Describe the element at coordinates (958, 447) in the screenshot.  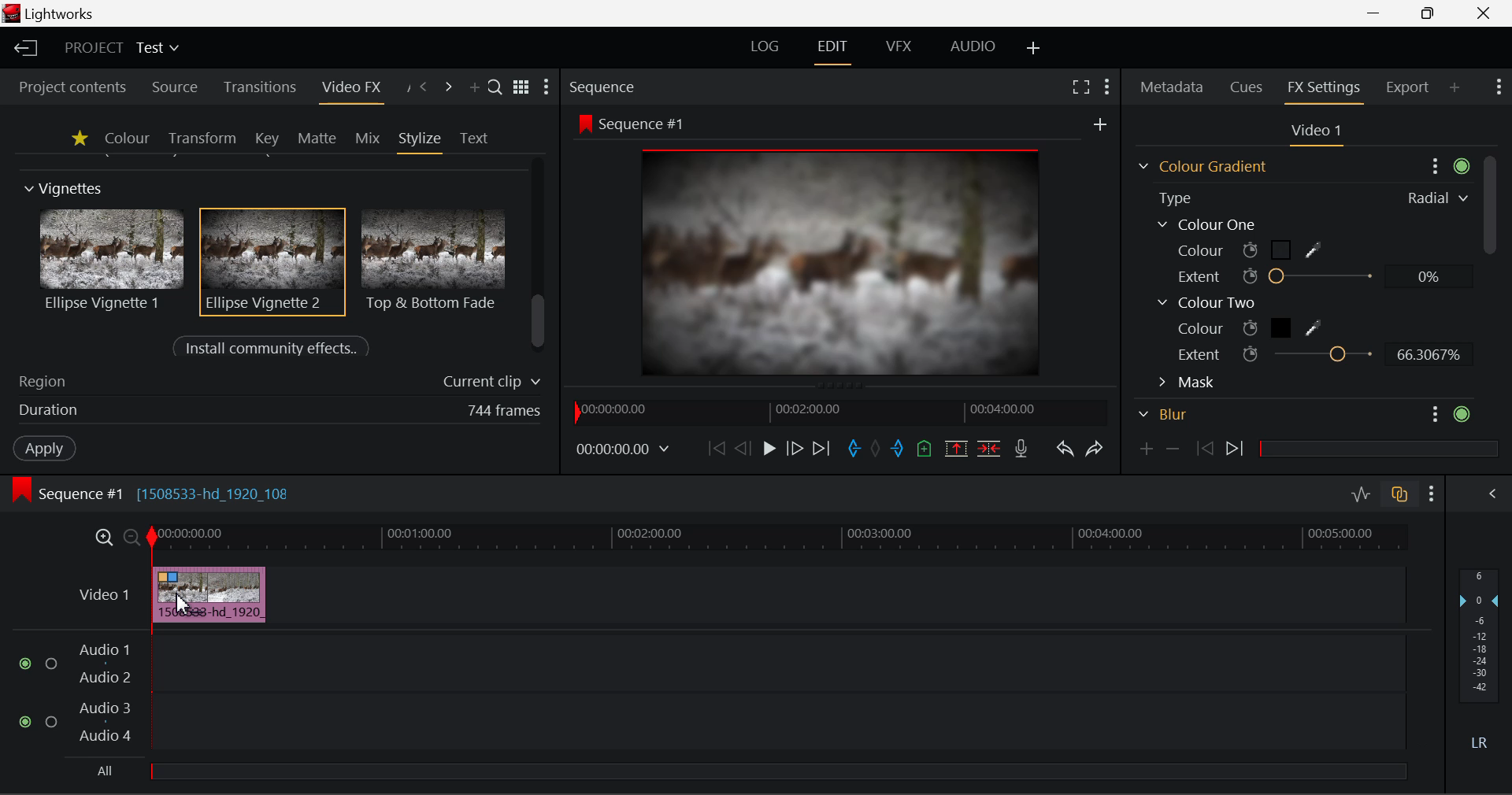
I see `Remove Marked Section` at that location.